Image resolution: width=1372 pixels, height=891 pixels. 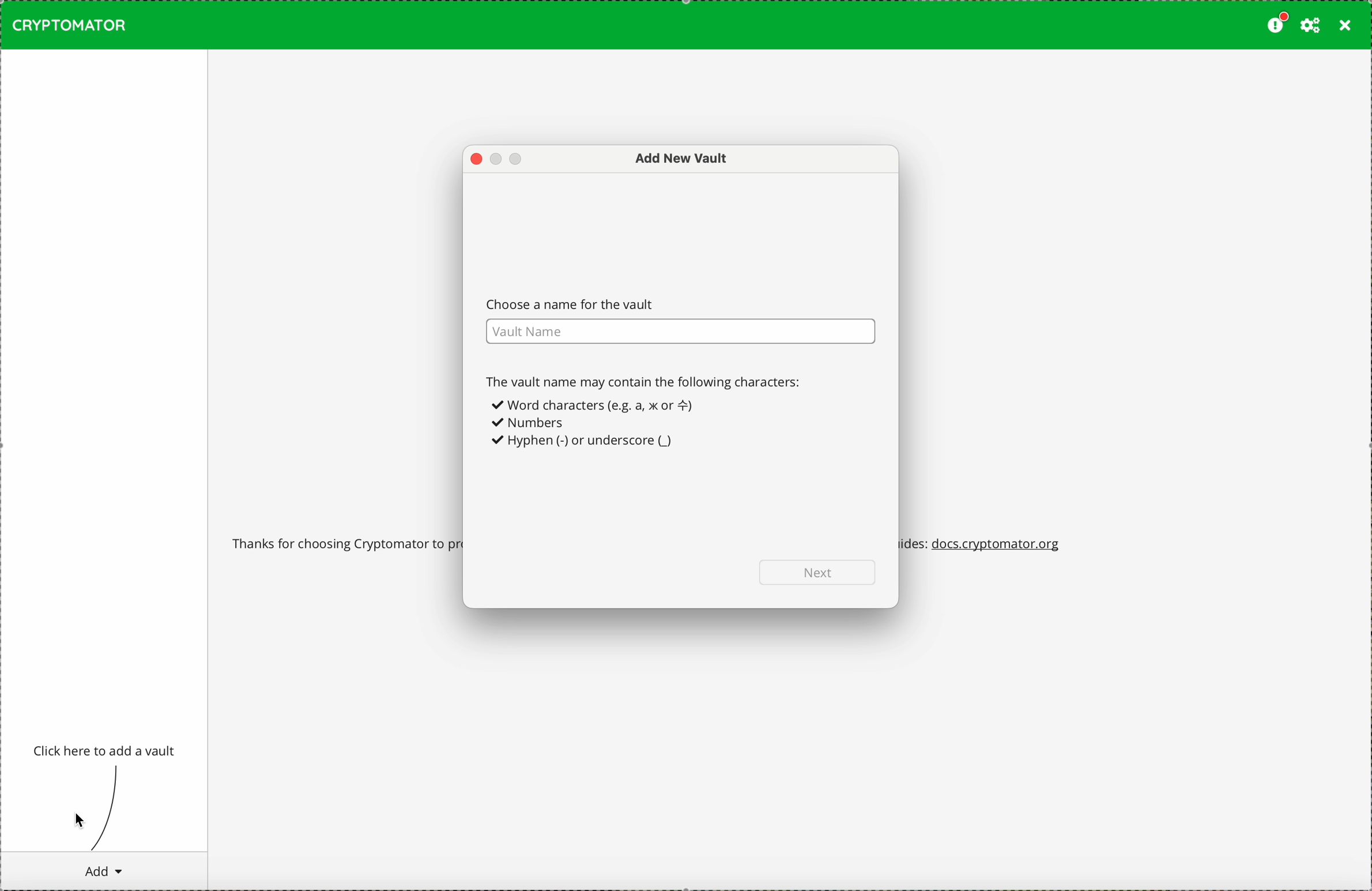 What do you see at coordinates (1276, 24) in the screenshot?
I see `please consider donating` at bounding box center [1276, 24].